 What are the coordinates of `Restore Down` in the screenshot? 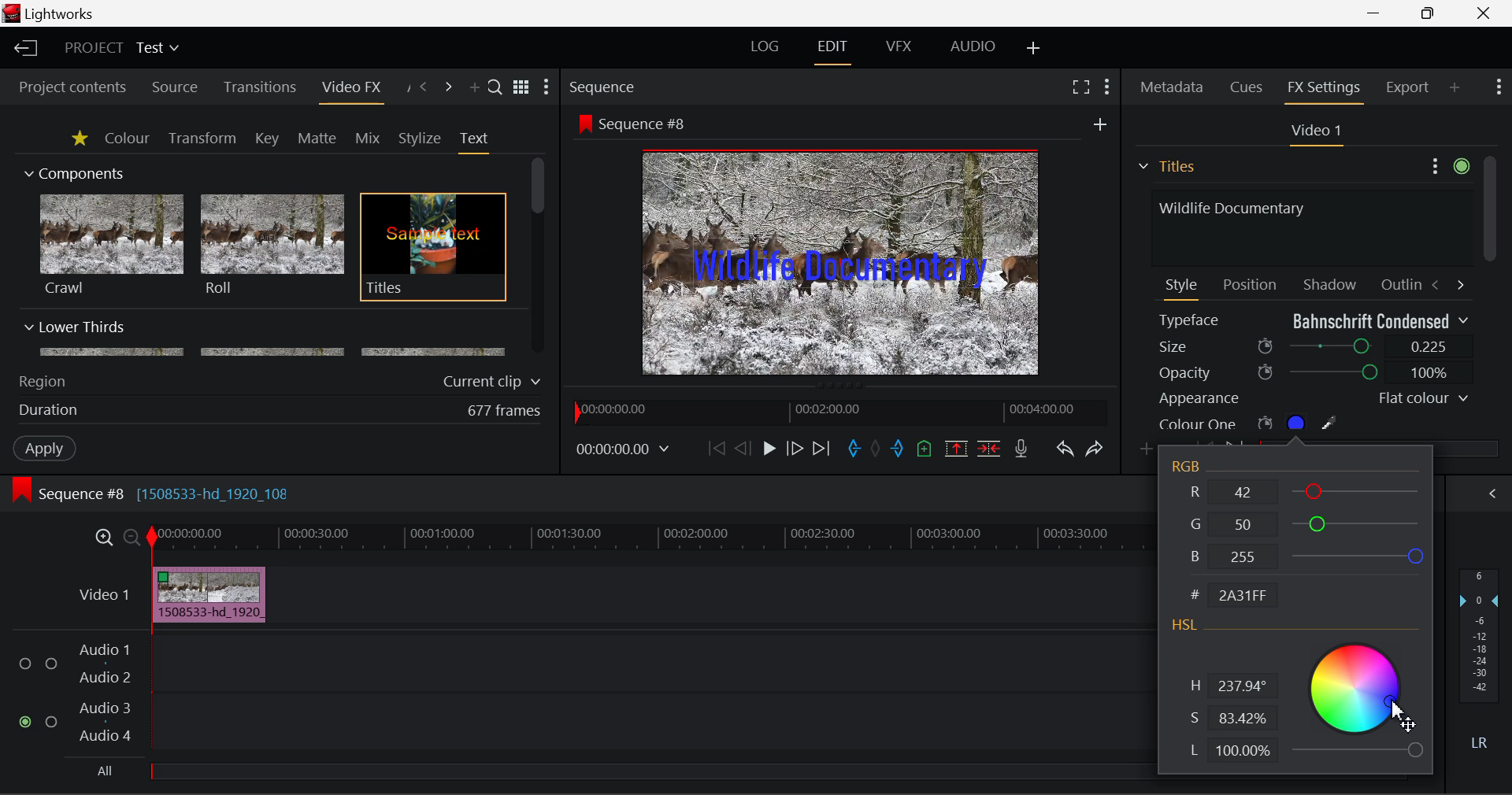 It's located at (1375, 11).